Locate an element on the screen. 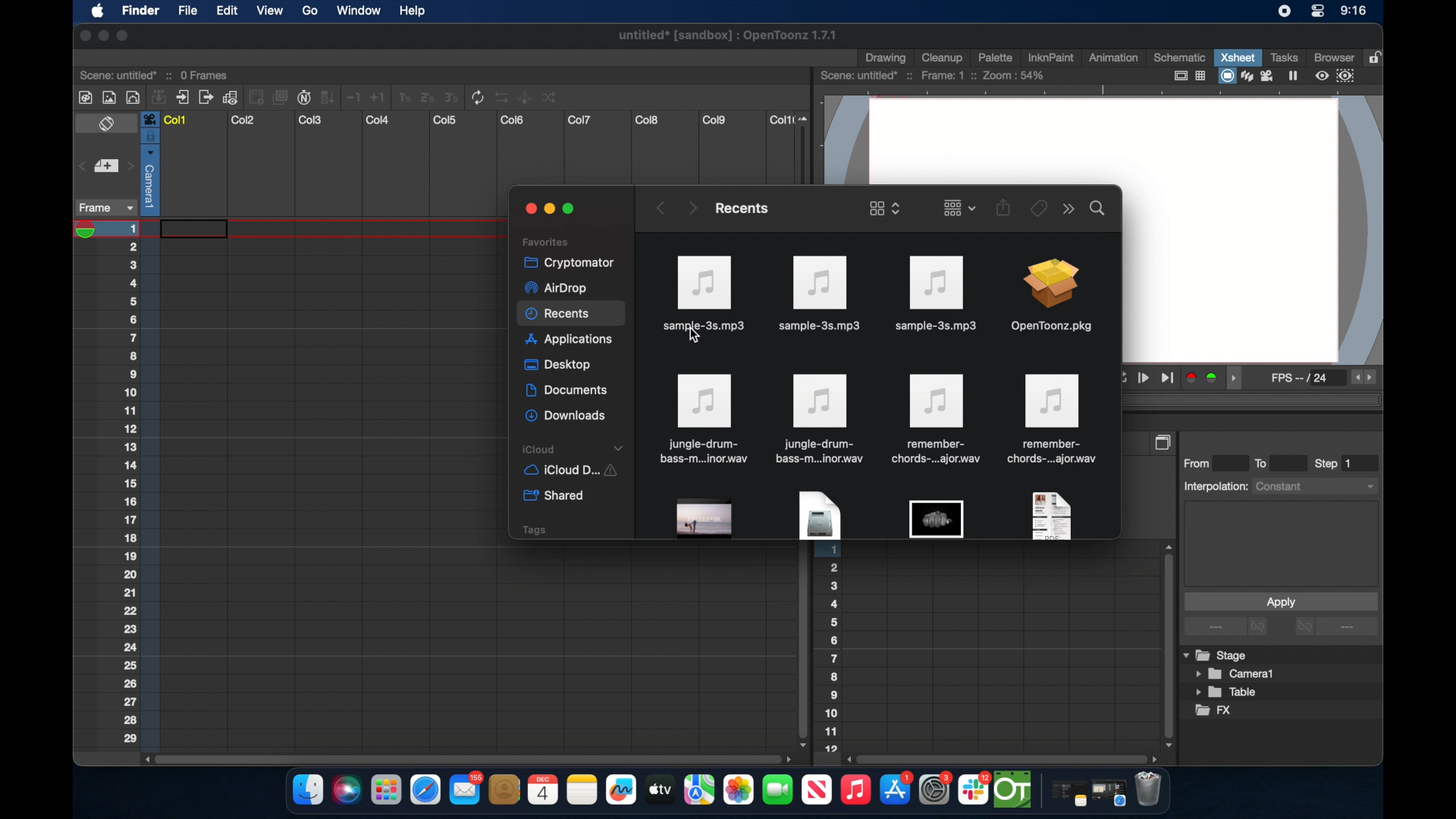  drag handle is located at coordinates (1238, 378).